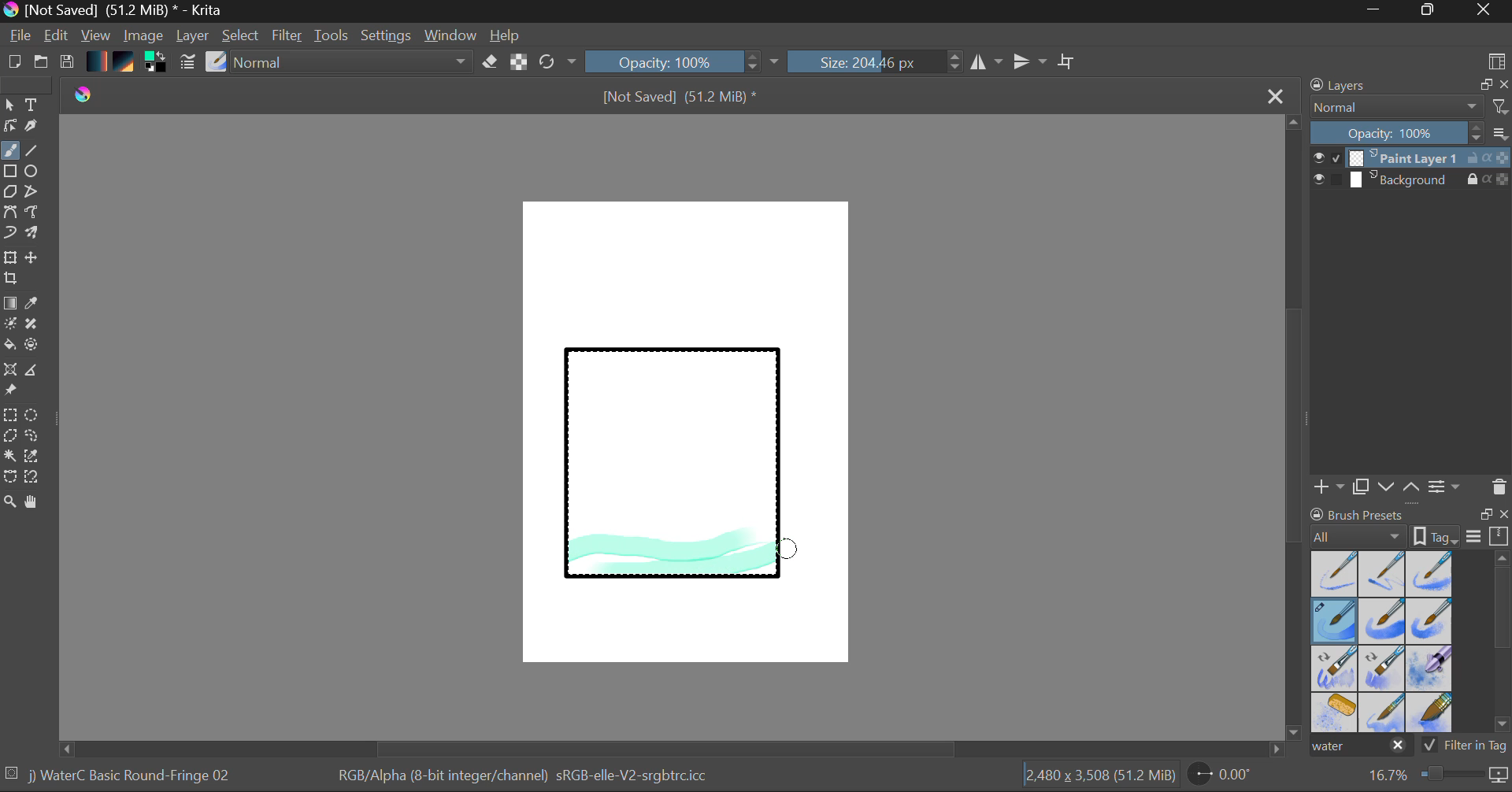  I want to click on Water C - Wide Area, so click(1432, 713).